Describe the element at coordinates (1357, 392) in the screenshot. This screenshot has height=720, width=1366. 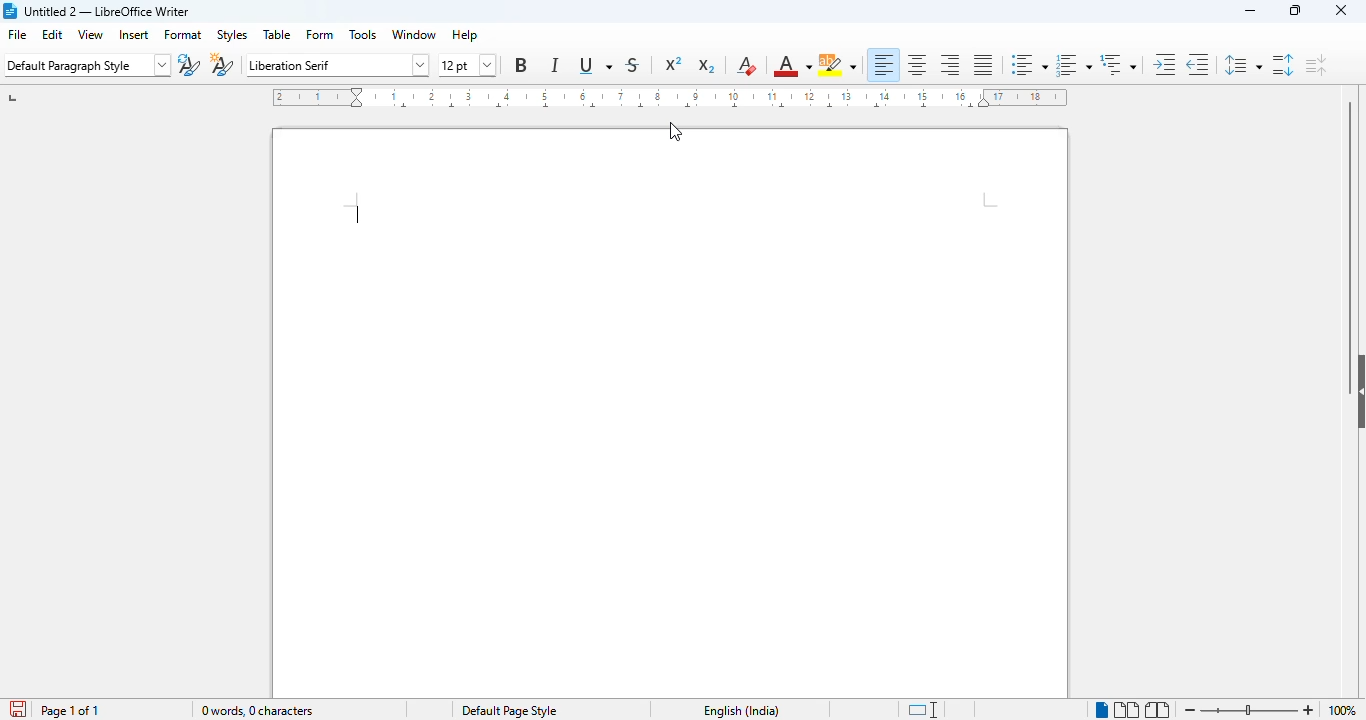
I see `show` at that location.